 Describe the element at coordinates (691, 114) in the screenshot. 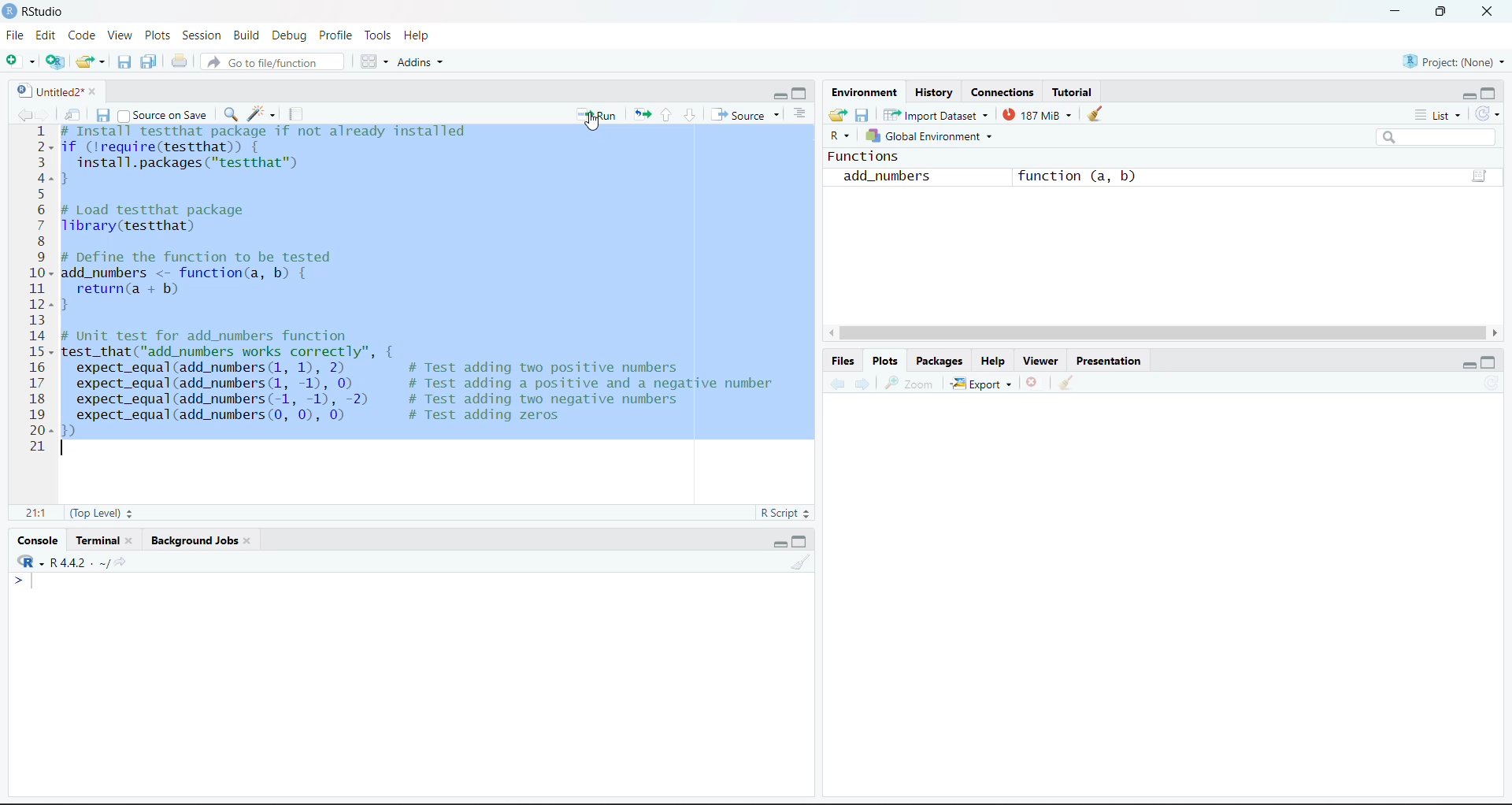

I see `go to next session of the chunk` at that location.